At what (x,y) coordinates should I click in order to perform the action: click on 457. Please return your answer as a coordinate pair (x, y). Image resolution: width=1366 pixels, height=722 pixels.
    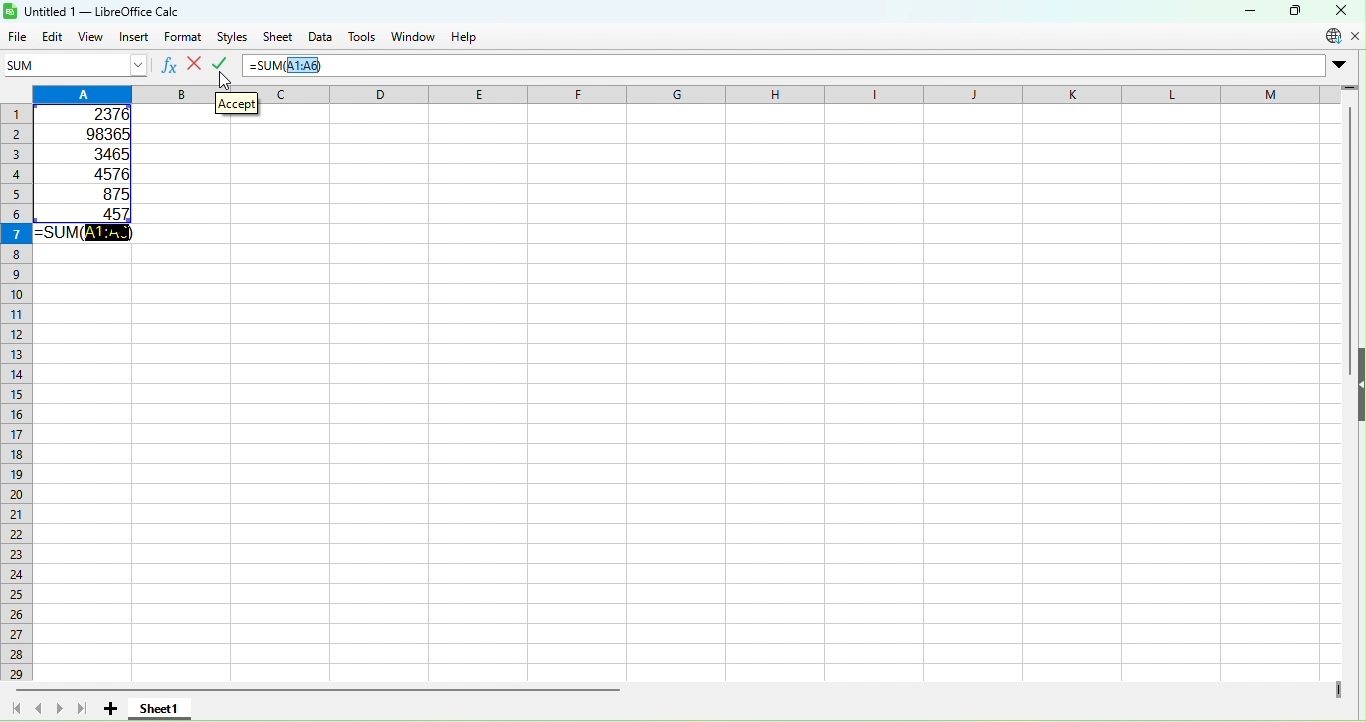
    Looking at the image, I should click on (92, 213).